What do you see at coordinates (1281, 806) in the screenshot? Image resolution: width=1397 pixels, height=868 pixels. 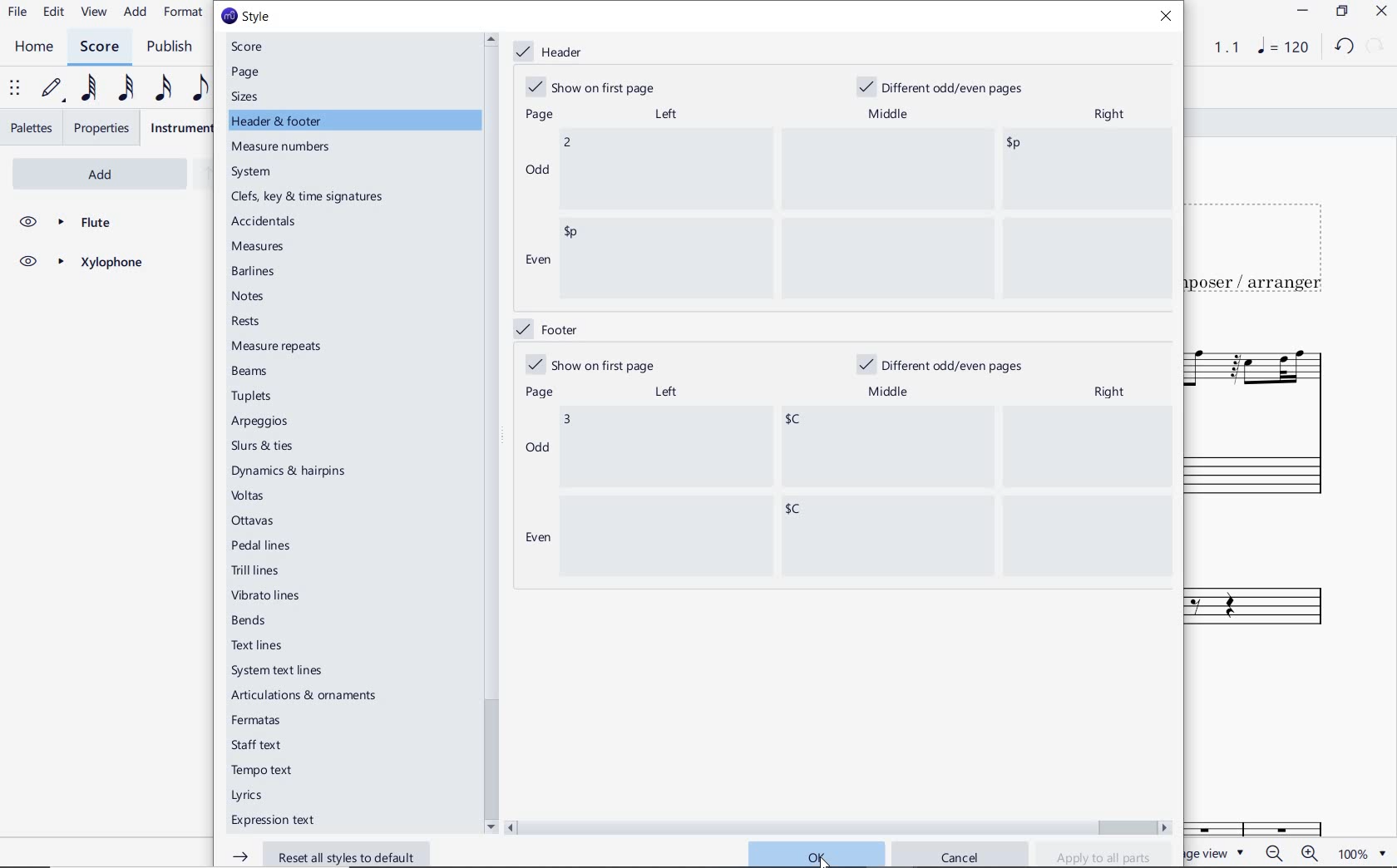 I see `Fl.` at bounding box center [1281, 806].